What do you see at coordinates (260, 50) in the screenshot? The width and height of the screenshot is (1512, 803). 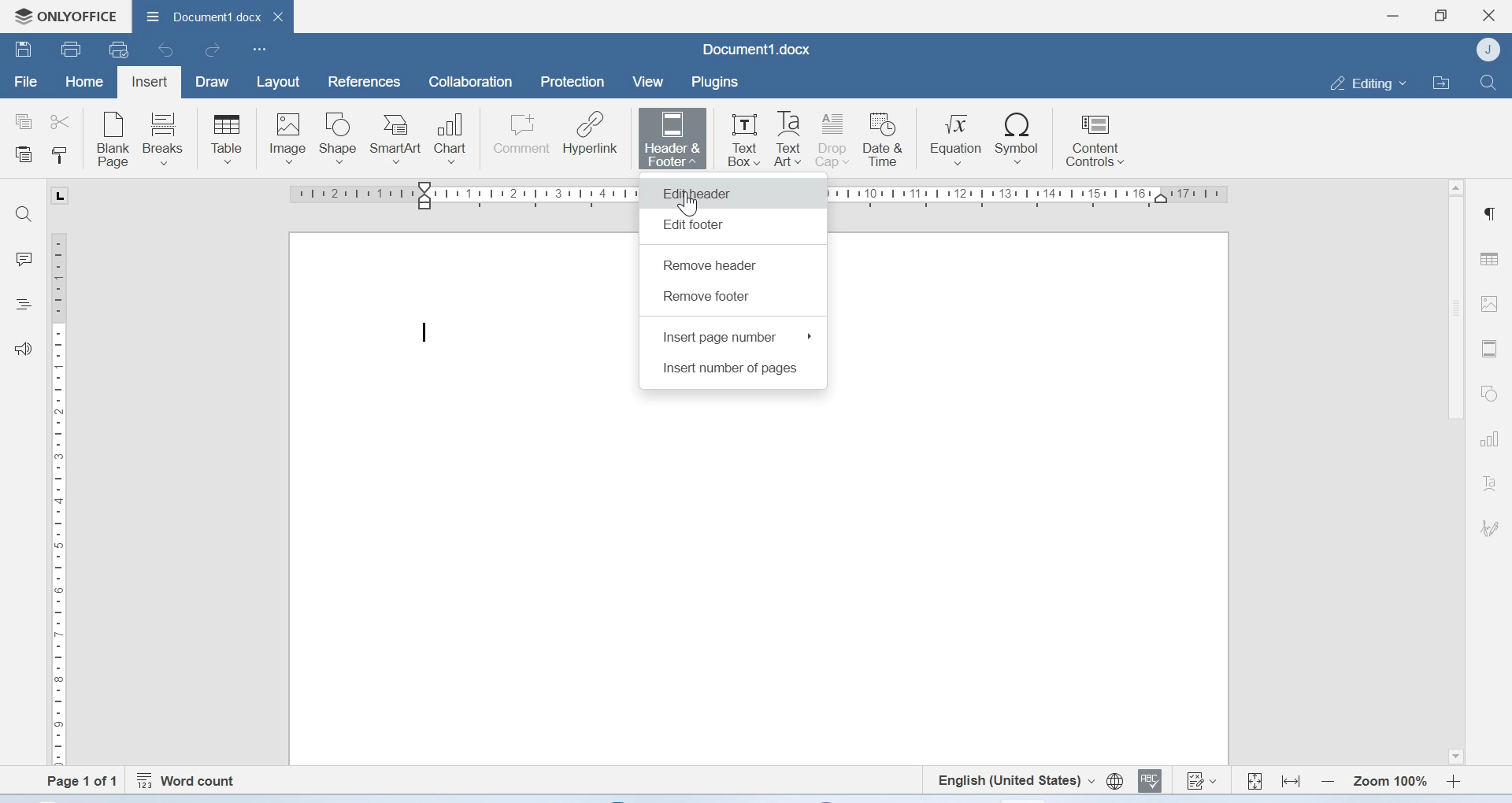 I see `Customize Quick Access Toolbar` at bounding box center [260, 50].